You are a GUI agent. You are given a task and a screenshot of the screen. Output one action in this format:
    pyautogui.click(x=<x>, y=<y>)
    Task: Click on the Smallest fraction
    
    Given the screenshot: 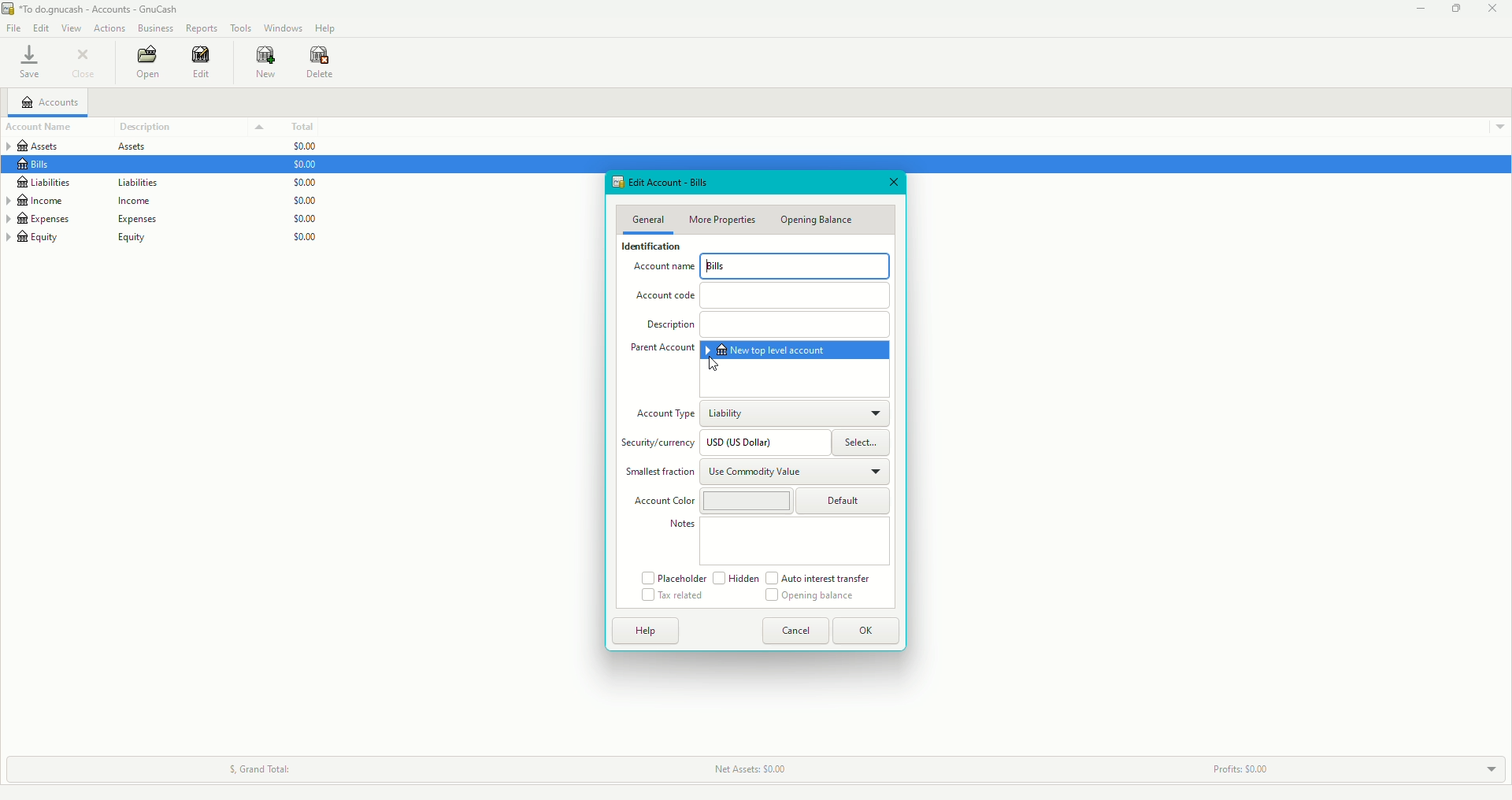 What is the action you would take?
    pyautogui.click(x=660, y=473)
    